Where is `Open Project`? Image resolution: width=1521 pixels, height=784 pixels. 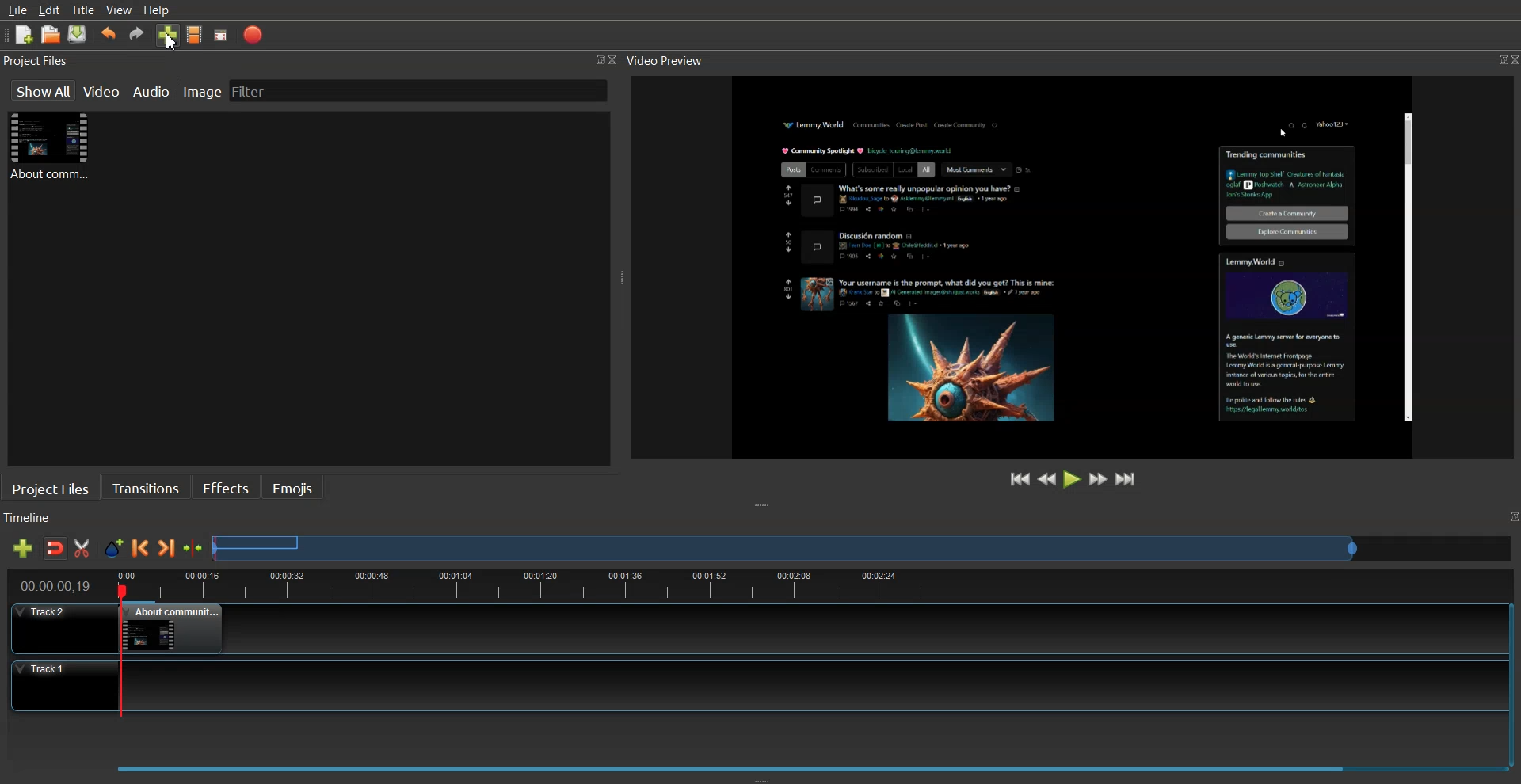 Open Project is located at coordinates (51, 34).